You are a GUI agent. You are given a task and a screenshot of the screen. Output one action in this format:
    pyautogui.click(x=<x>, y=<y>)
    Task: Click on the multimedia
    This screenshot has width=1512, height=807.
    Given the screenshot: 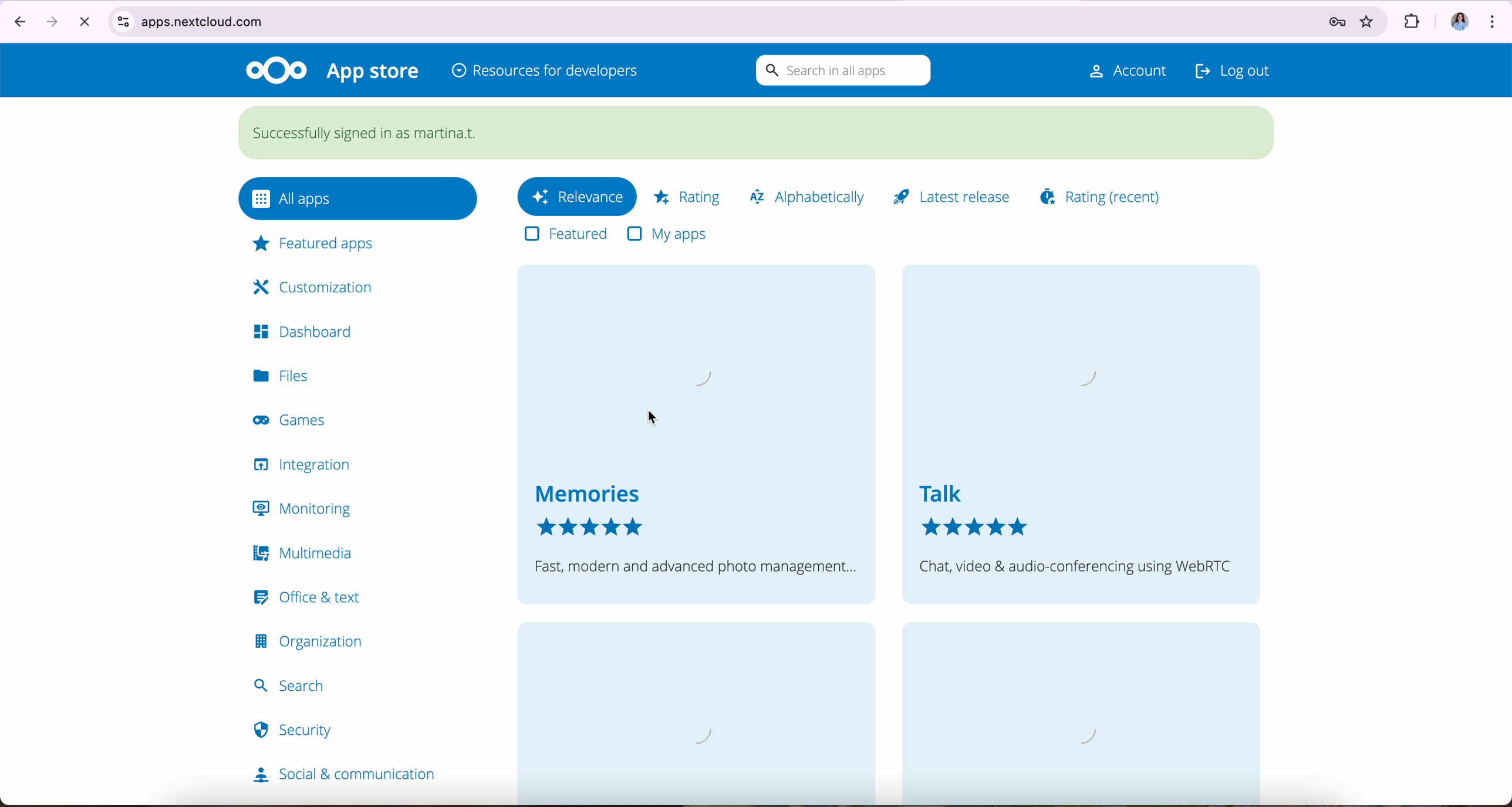 What is the action you would take?
    pyautogui.click(x=304, y=551)
    